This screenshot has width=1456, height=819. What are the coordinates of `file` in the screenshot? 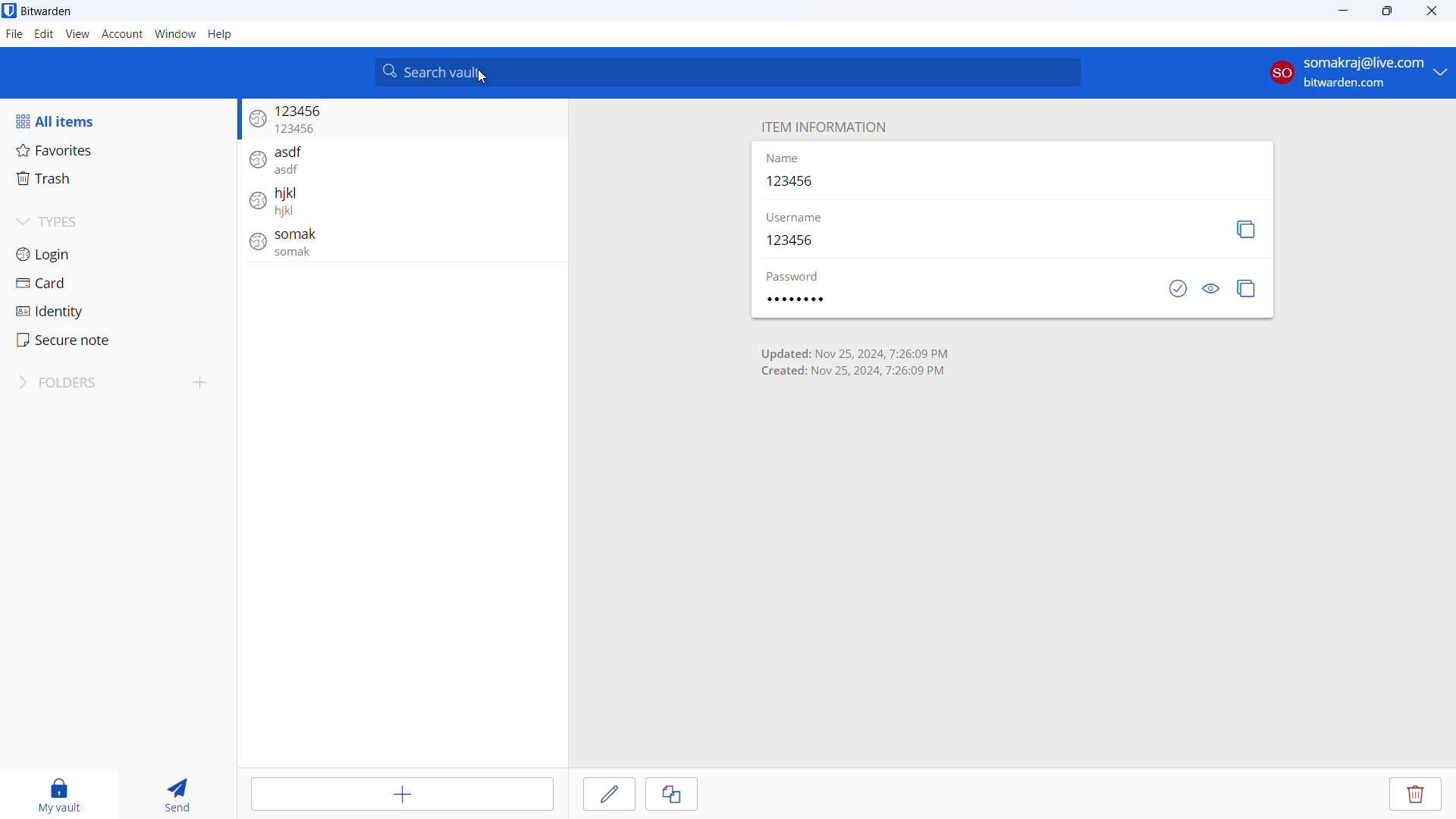 It's located at (14, 34).